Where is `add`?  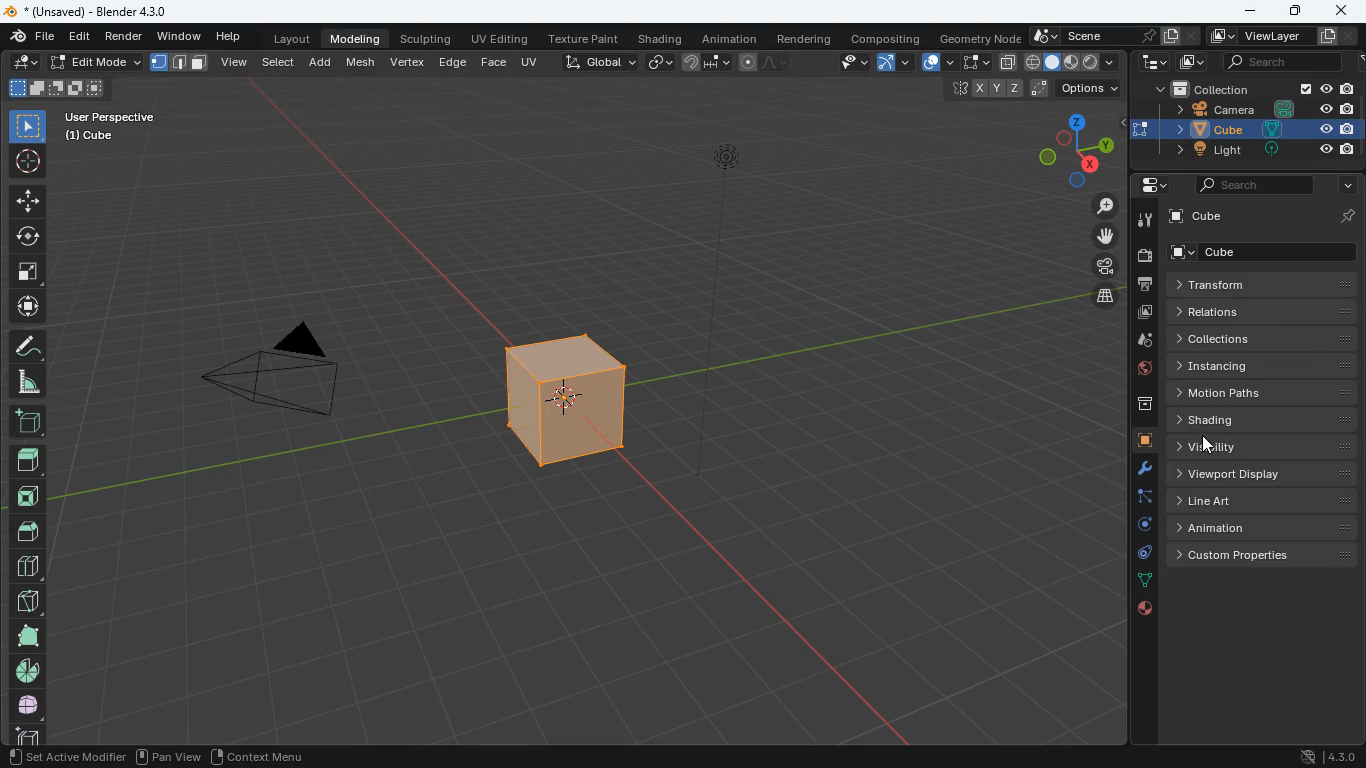 add is located at coordinates (321, 64).